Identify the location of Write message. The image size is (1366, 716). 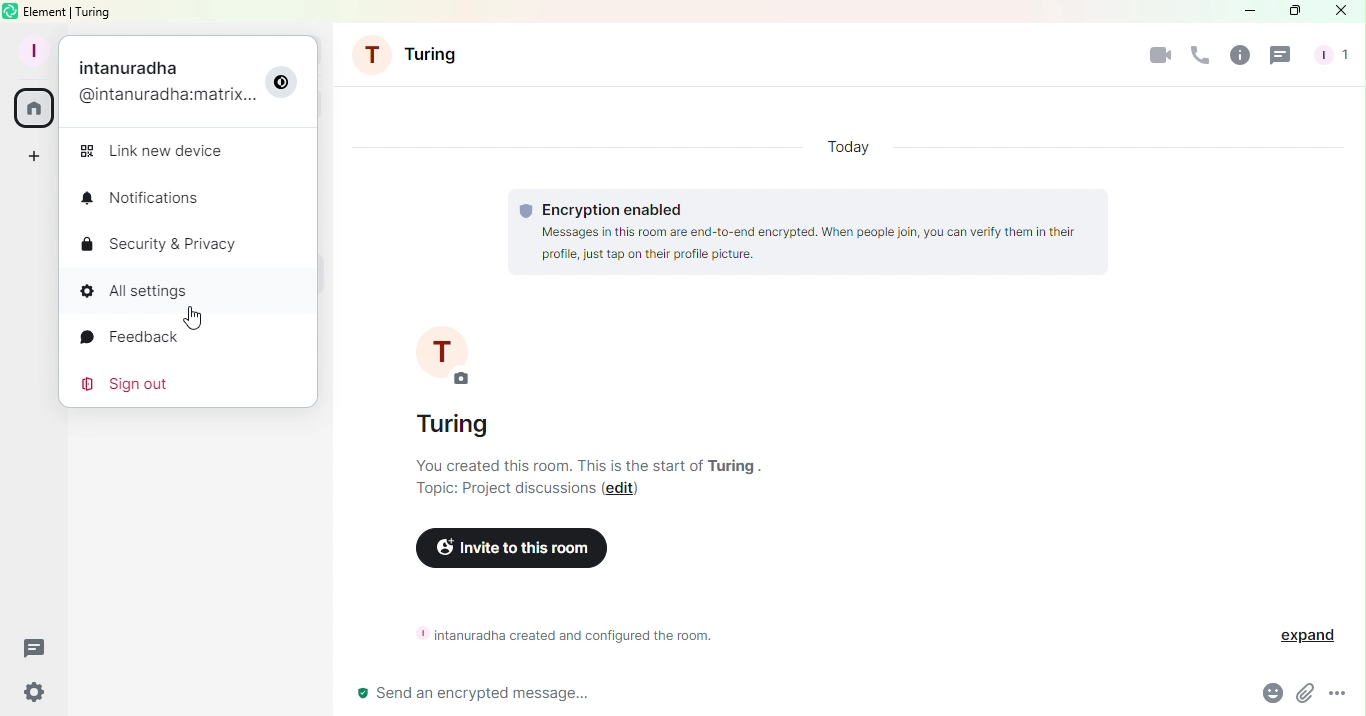
(786, 692).